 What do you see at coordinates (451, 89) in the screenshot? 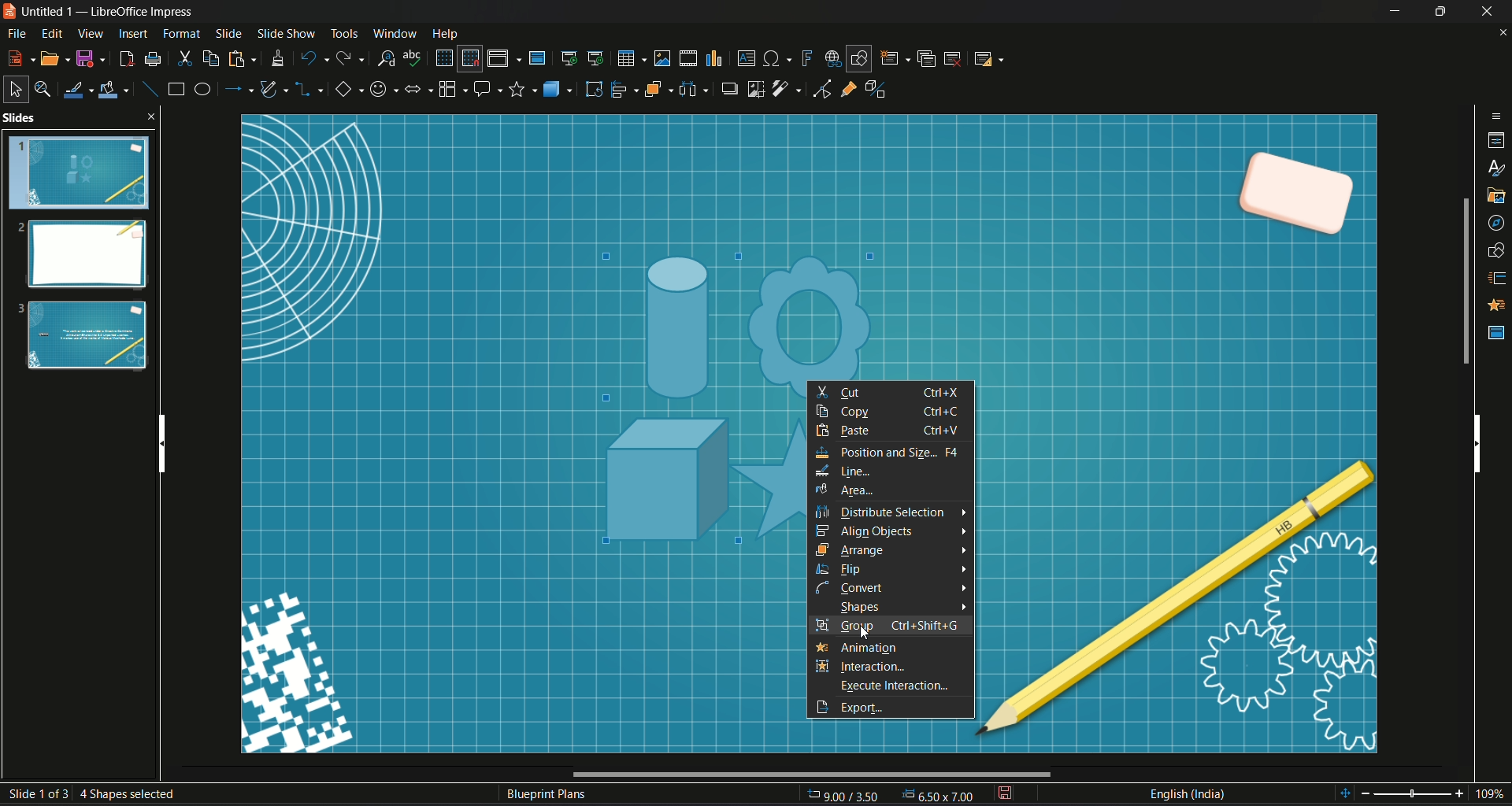
I see `flowchart` at bounding box center [451, 89].